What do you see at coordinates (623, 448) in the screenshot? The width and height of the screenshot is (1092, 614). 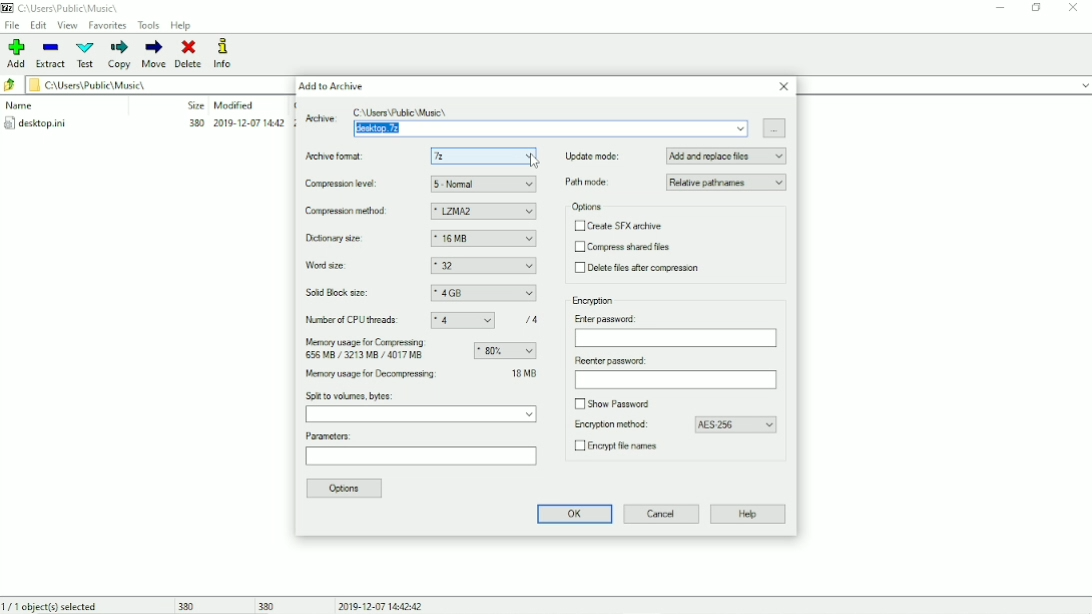 I see `Encrypt file names` at bounding box center [623, 448].